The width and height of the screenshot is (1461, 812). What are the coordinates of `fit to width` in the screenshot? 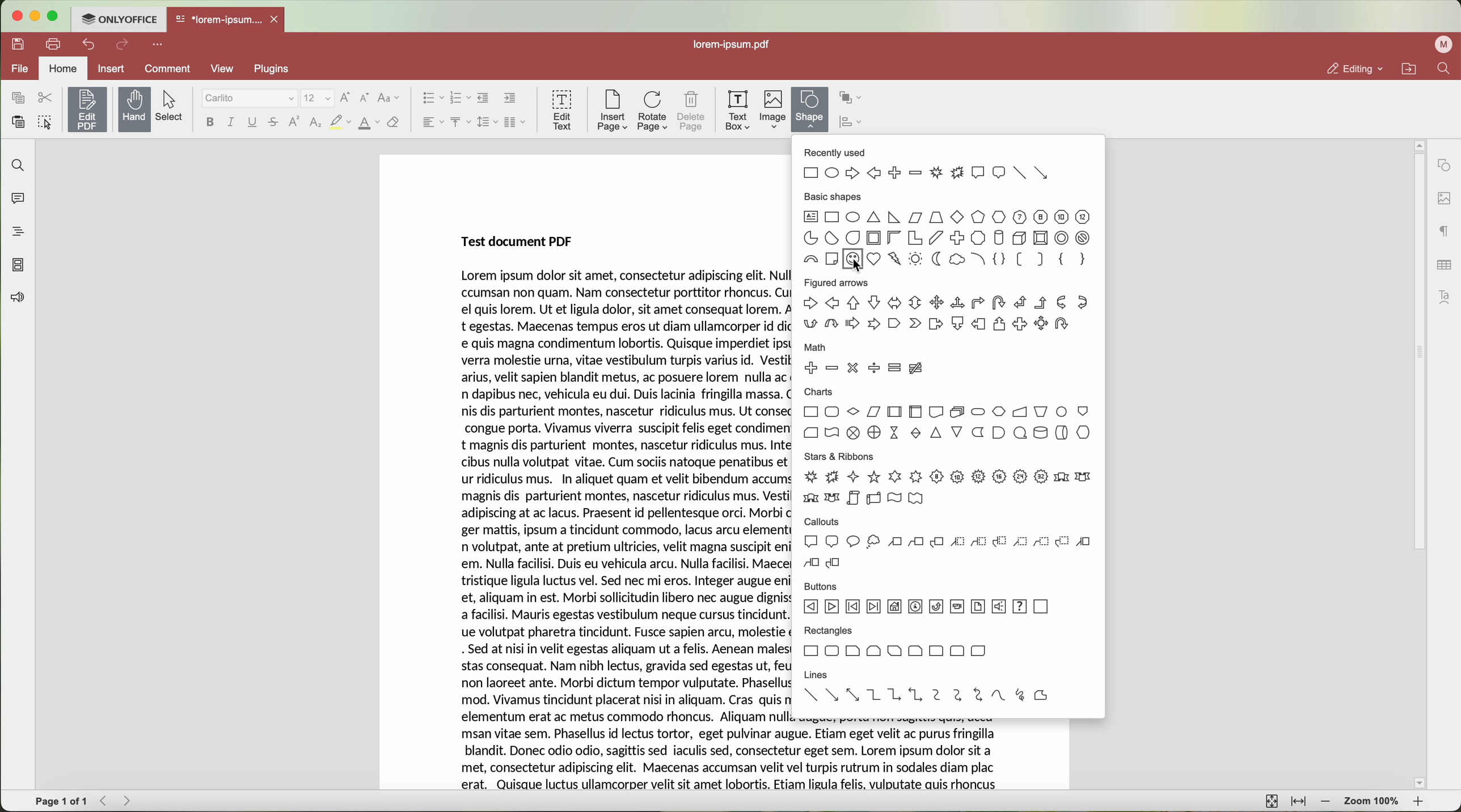 It's located at (1300, 802).